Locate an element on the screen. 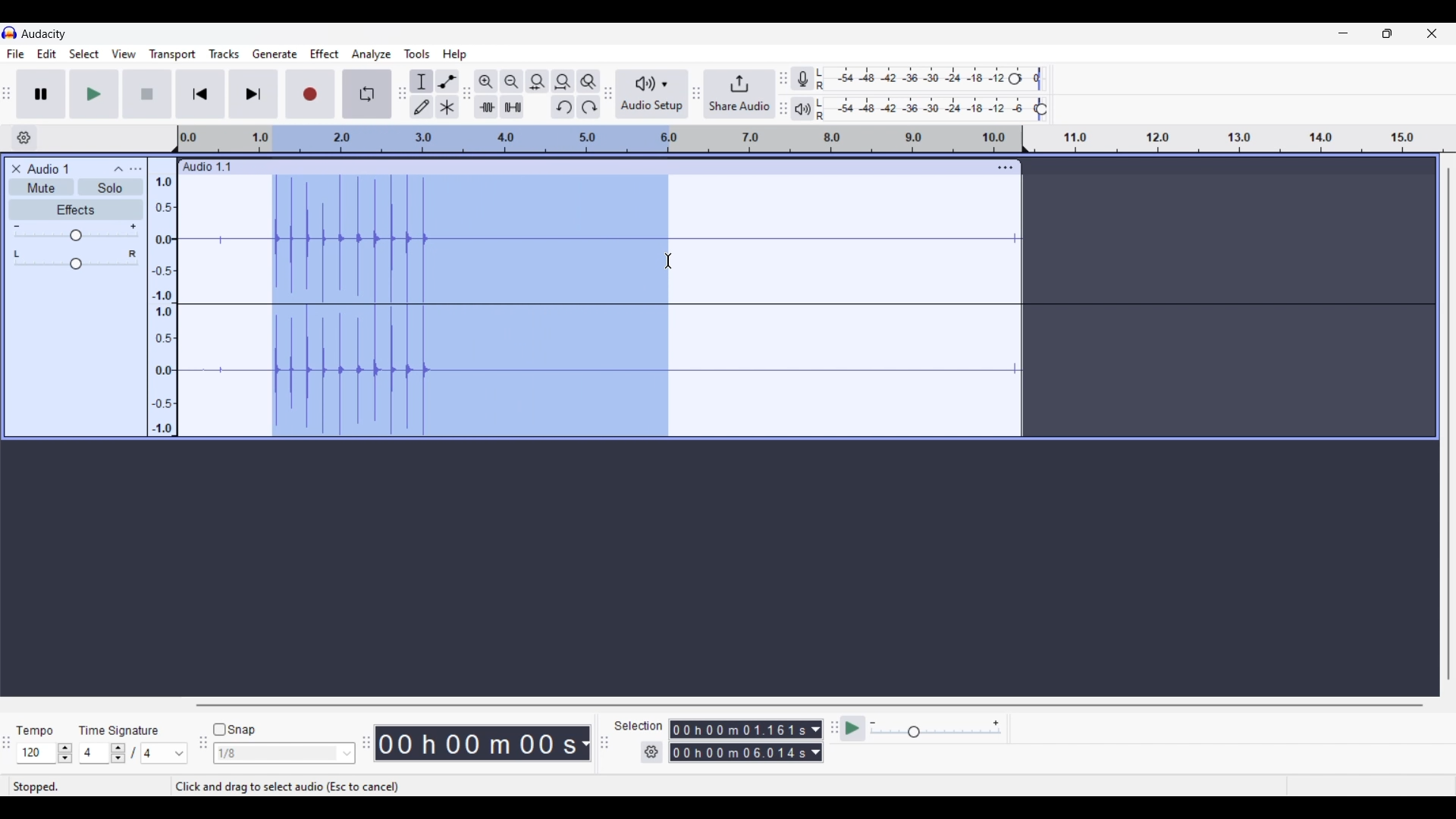 The image size is (1456, 819). Stop is located at coordinates (148, 94).